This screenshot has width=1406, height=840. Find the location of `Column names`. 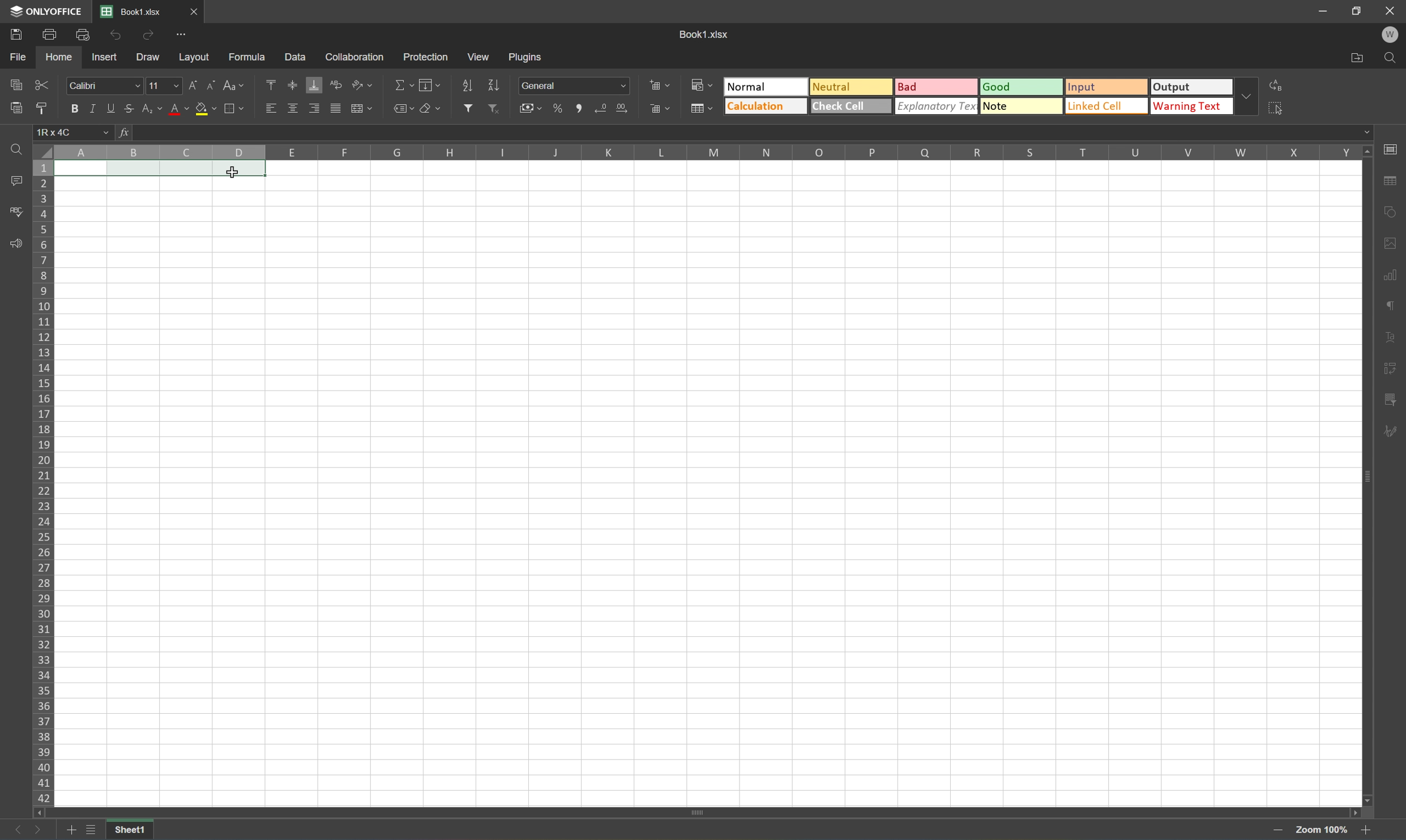

Column names is located at coordinates (708, 153).